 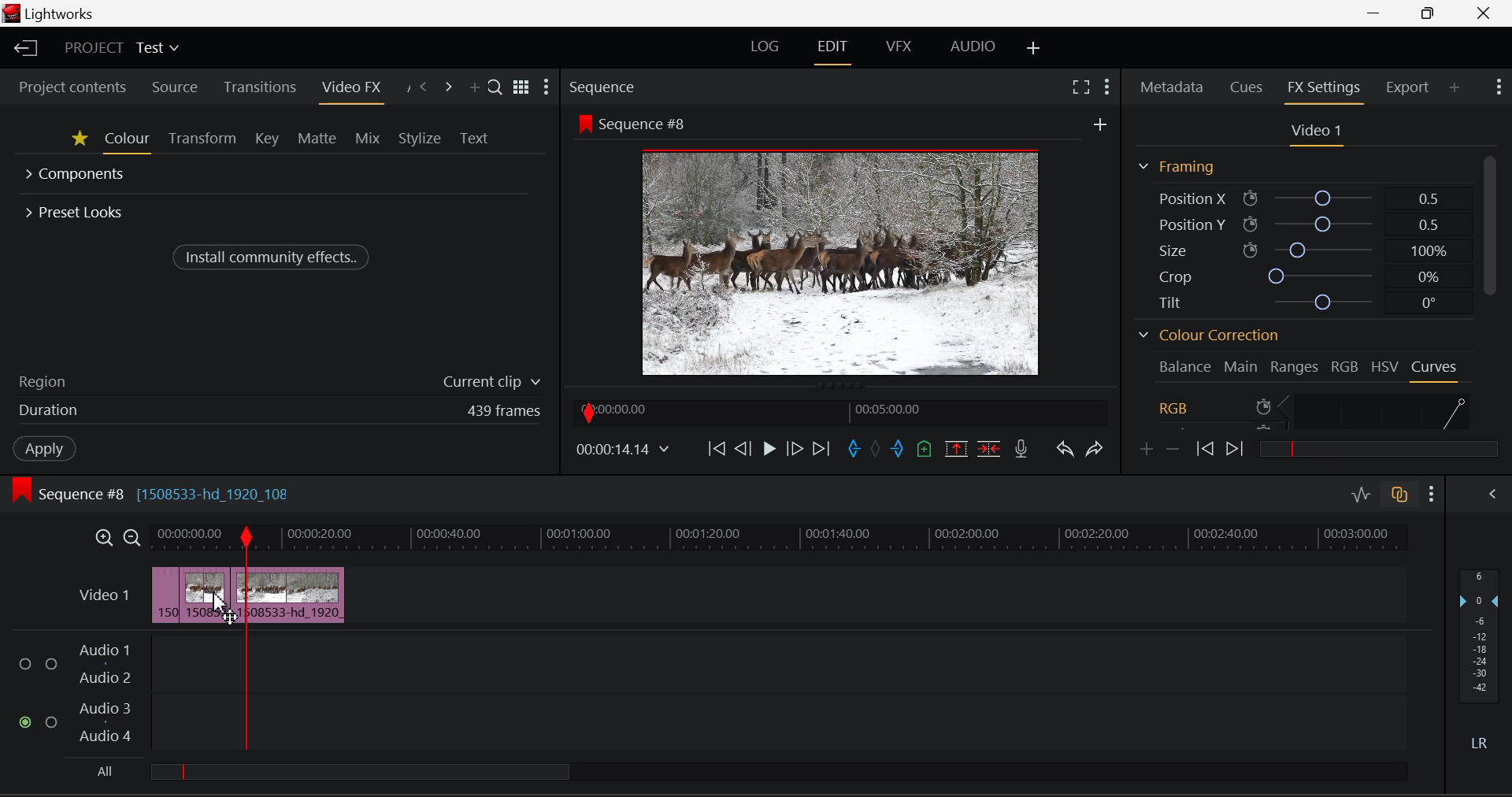 What do you see at coordinates (1455, 87) in the screenshot?
I see `Add Panel` at bounding box center [1455, 87].